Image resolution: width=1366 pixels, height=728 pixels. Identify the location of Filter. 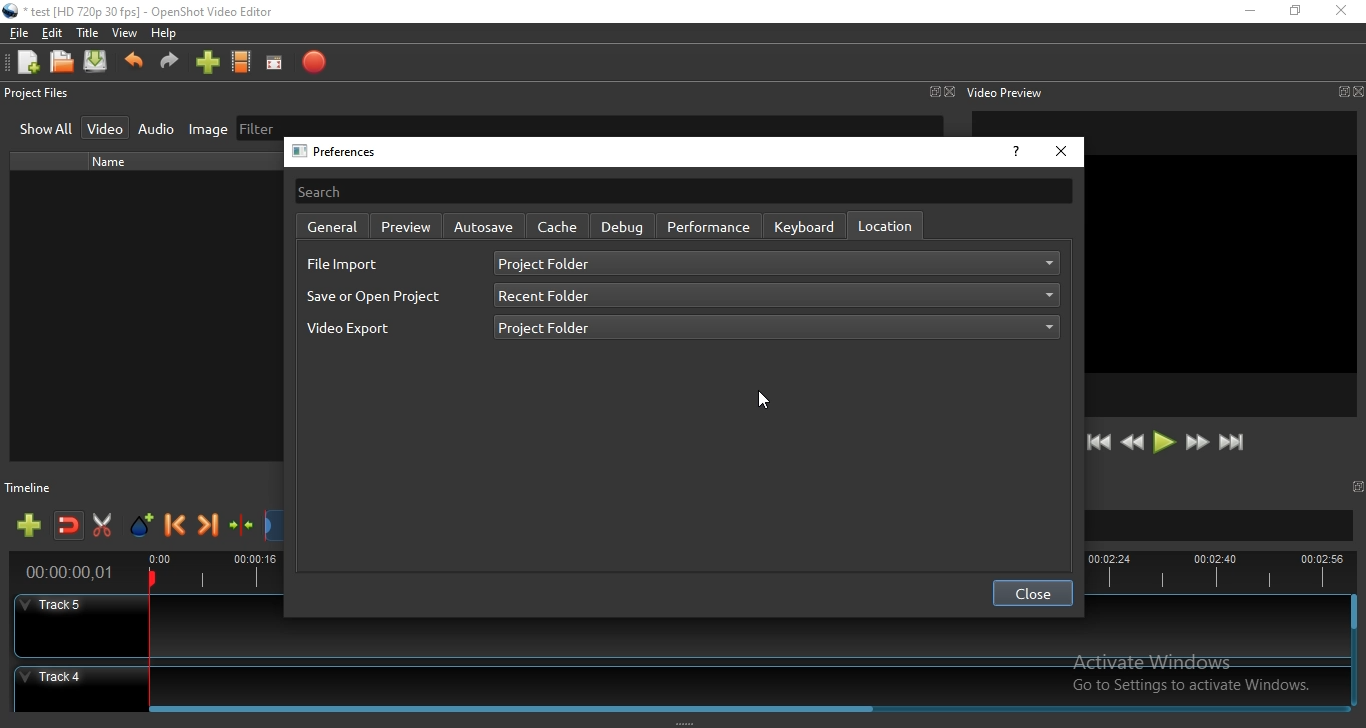
(589, 125).